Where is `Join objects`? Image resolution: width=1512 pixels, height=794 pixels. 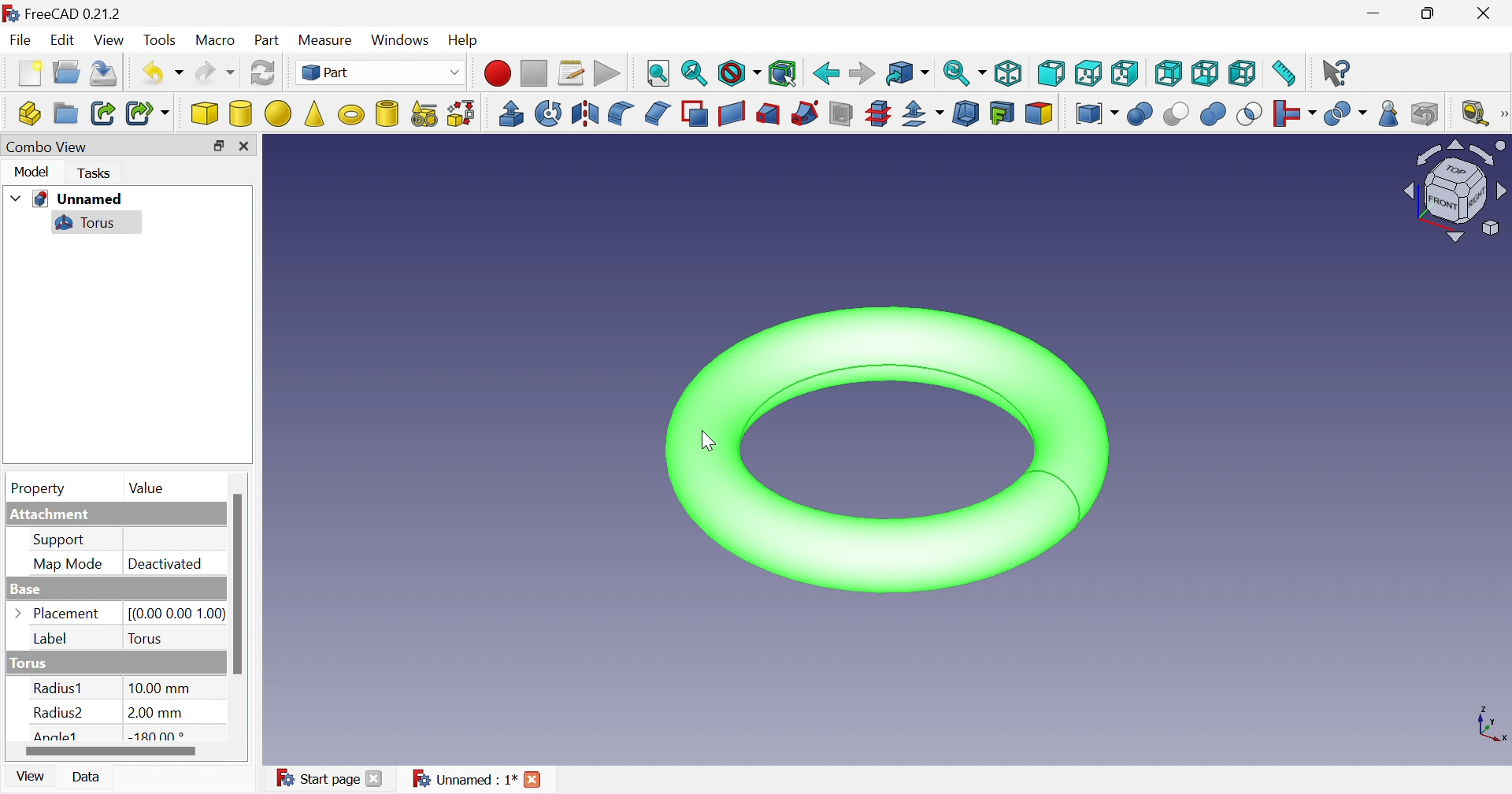 Join objects is located at coordinates (1293, 114).